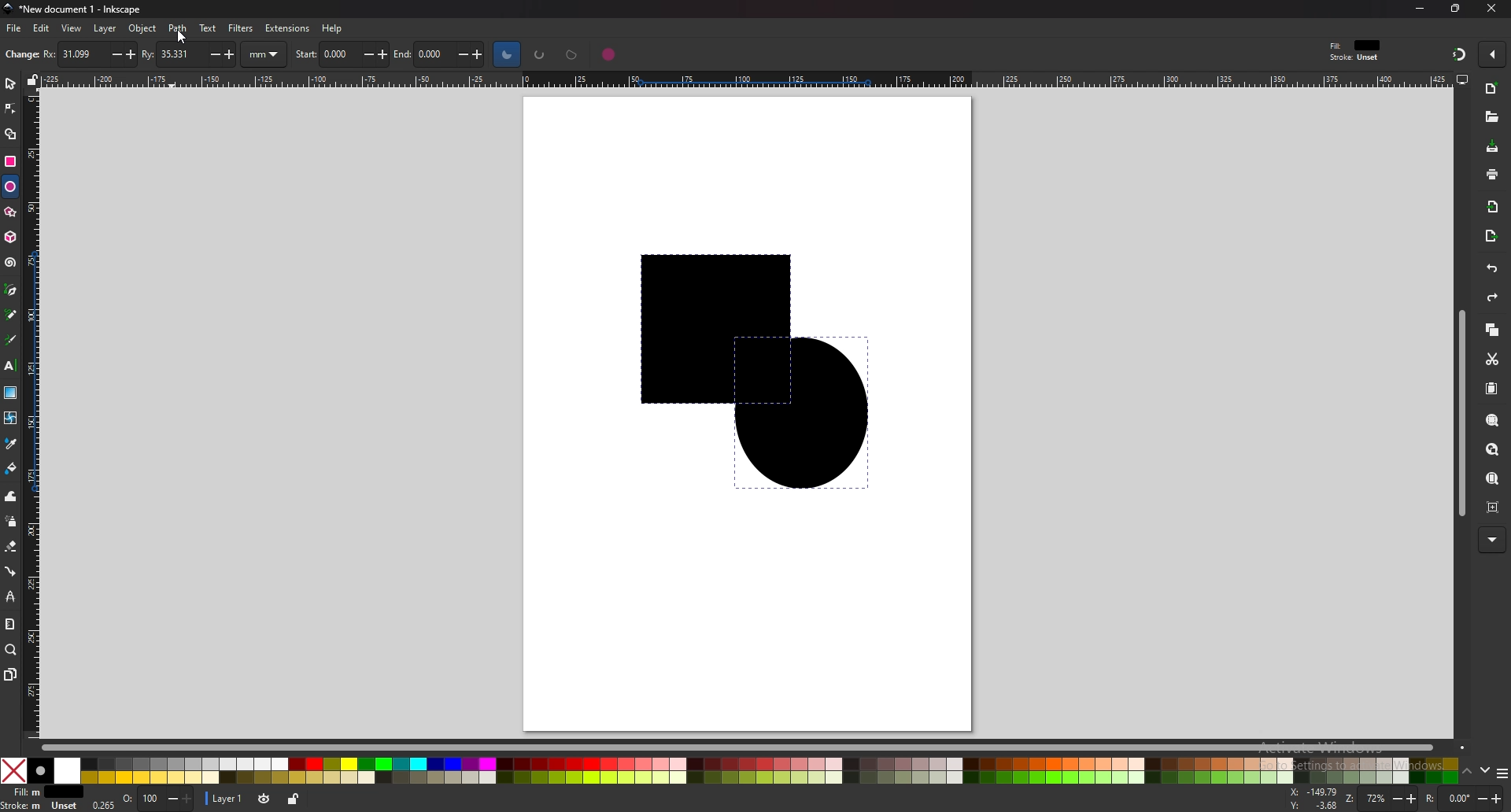 Image resolution: width=1511 pixels, height=812 pixels. I want to click on snapping, so click(1457, 54).